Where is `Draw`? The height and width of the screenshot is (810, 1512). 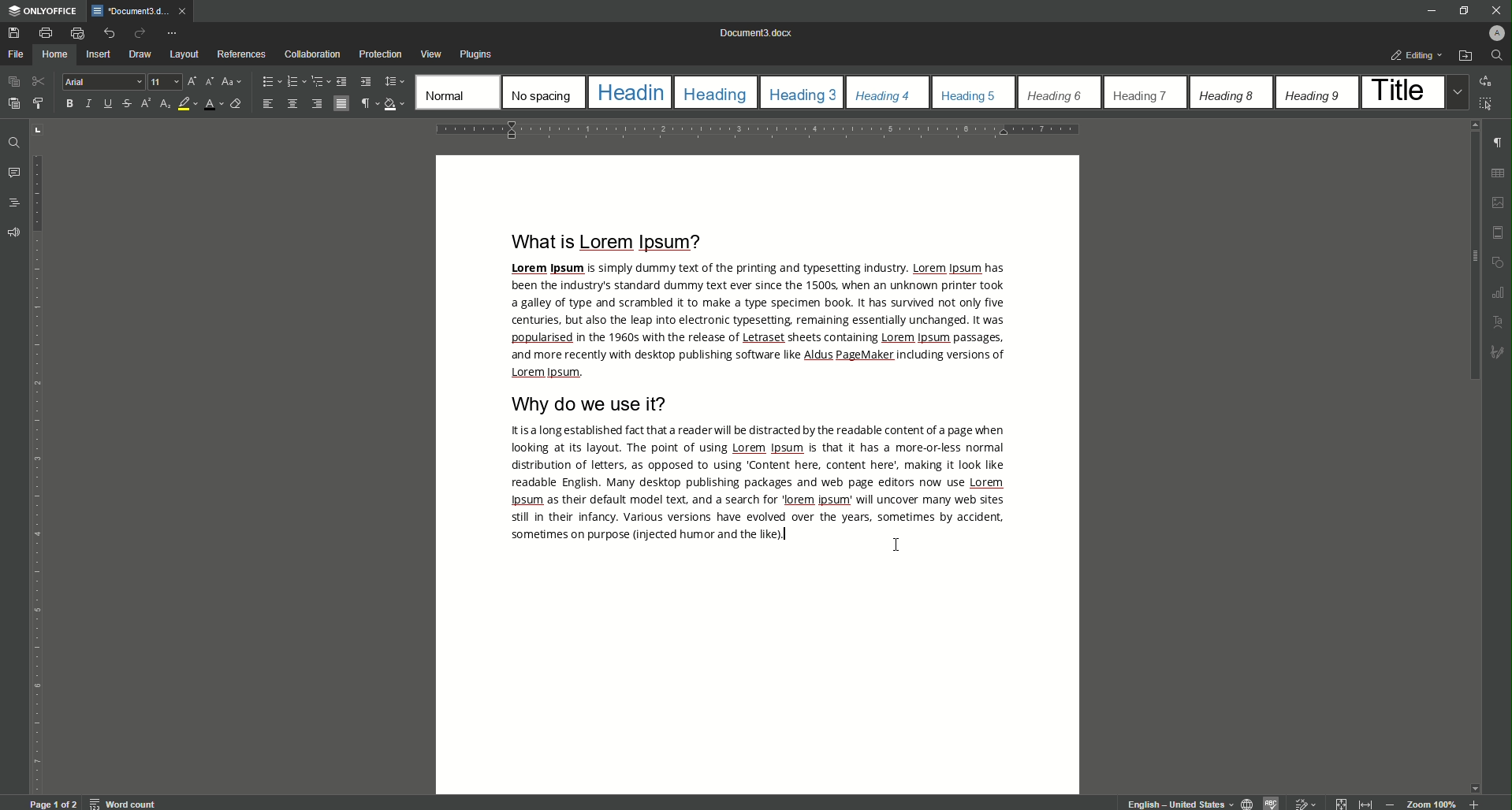
Draw is located at coordinates (142, 54).